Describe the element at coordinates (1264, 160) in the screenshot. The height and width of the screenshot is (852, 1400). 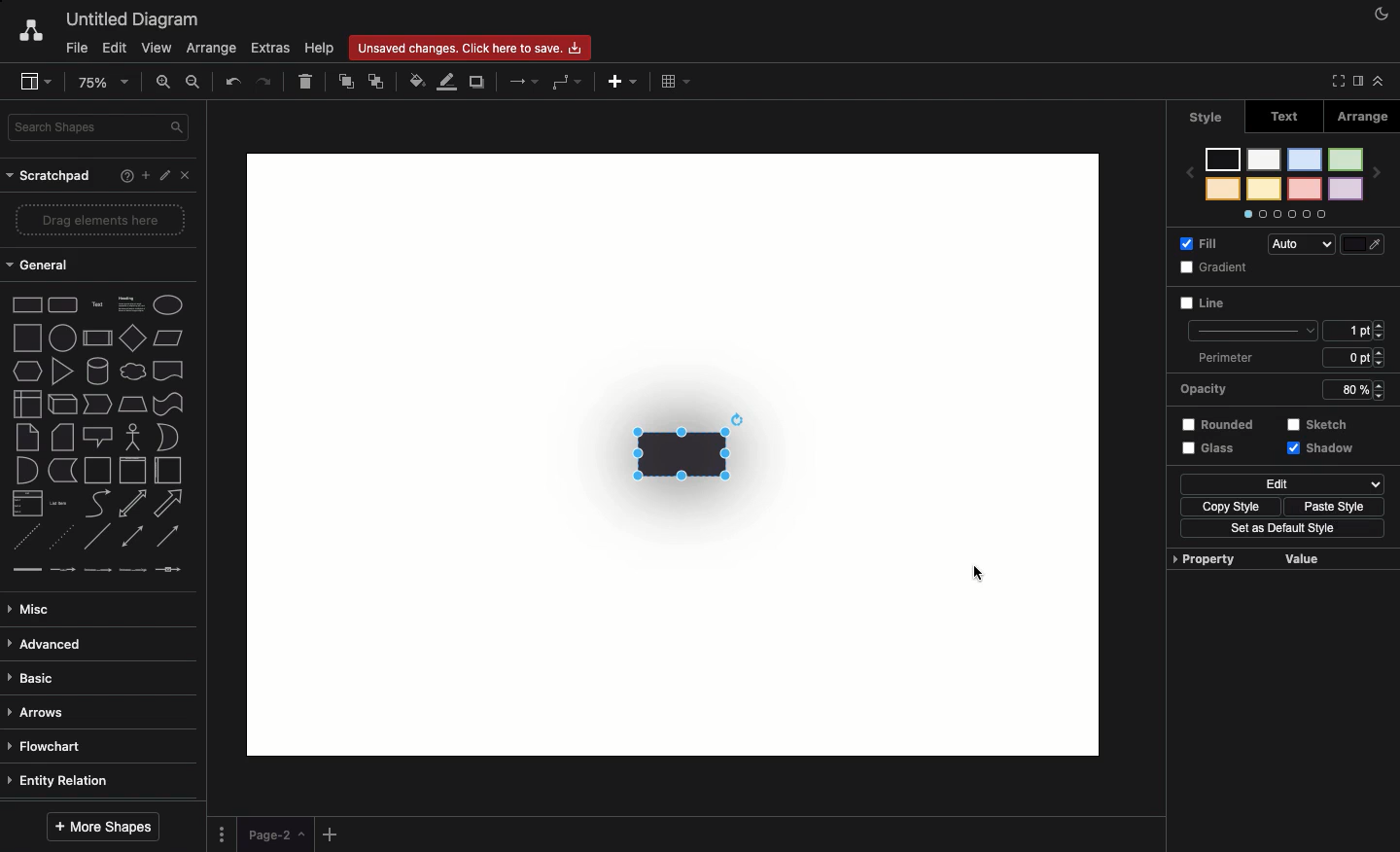
I see `color 5` at that location.